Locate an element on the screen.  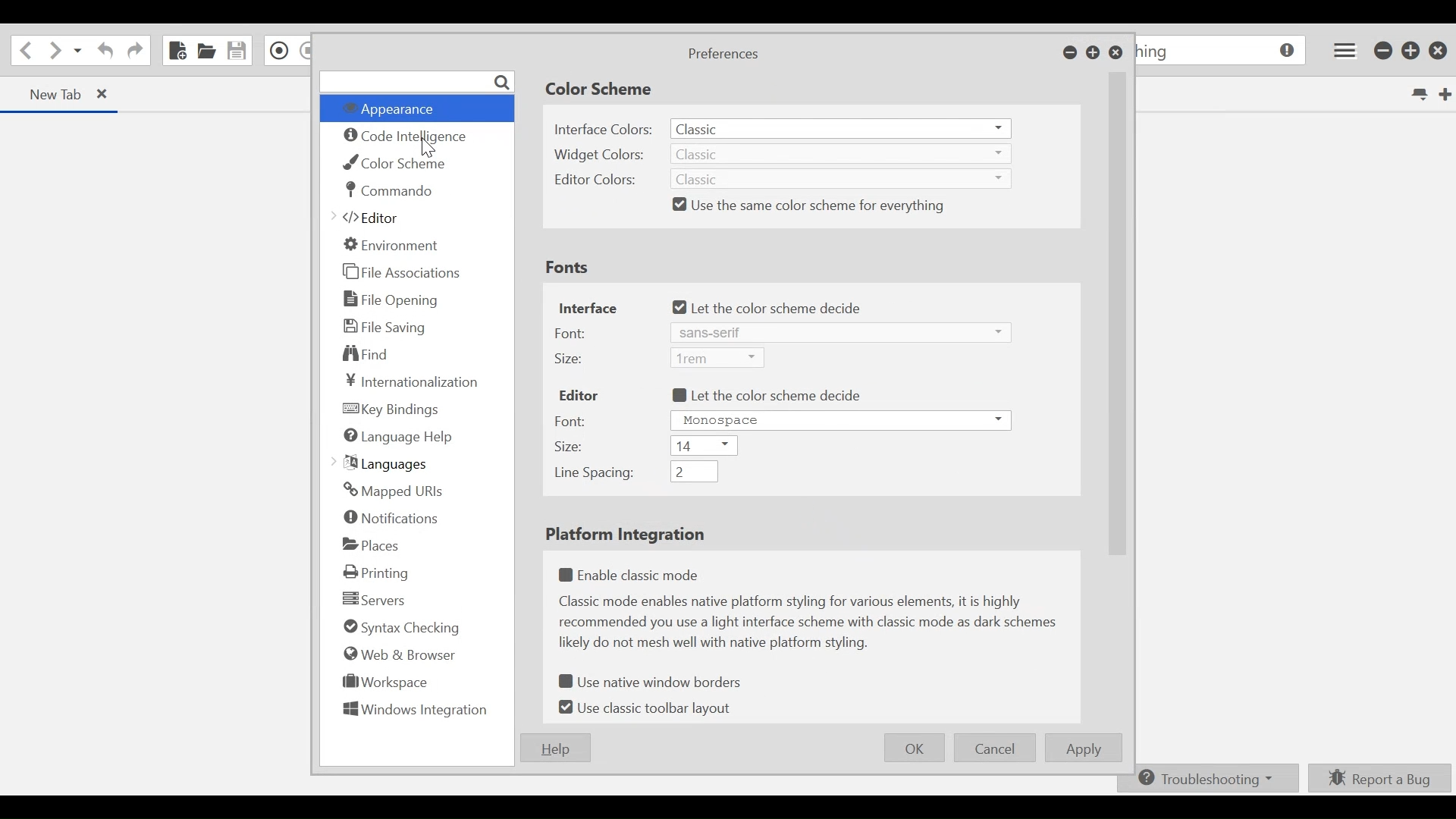
Stop Recording  is located at coordinates (306, 52).